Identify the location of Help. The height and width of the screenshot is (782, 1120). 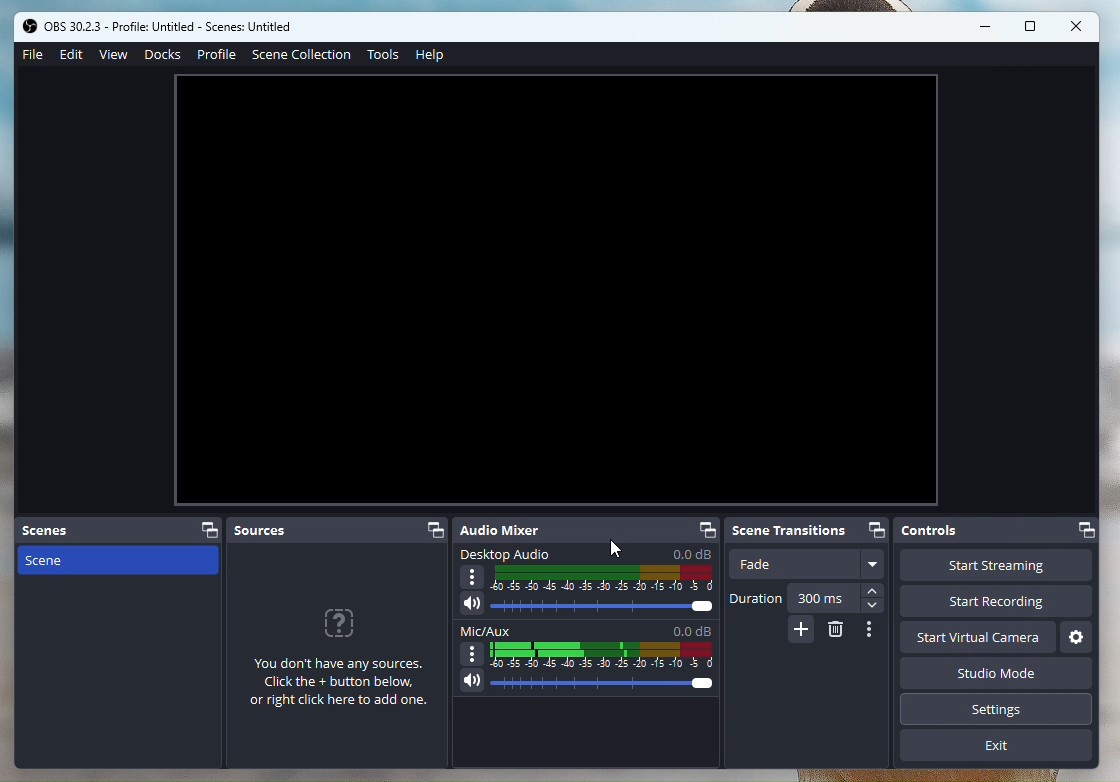
(432, 58).